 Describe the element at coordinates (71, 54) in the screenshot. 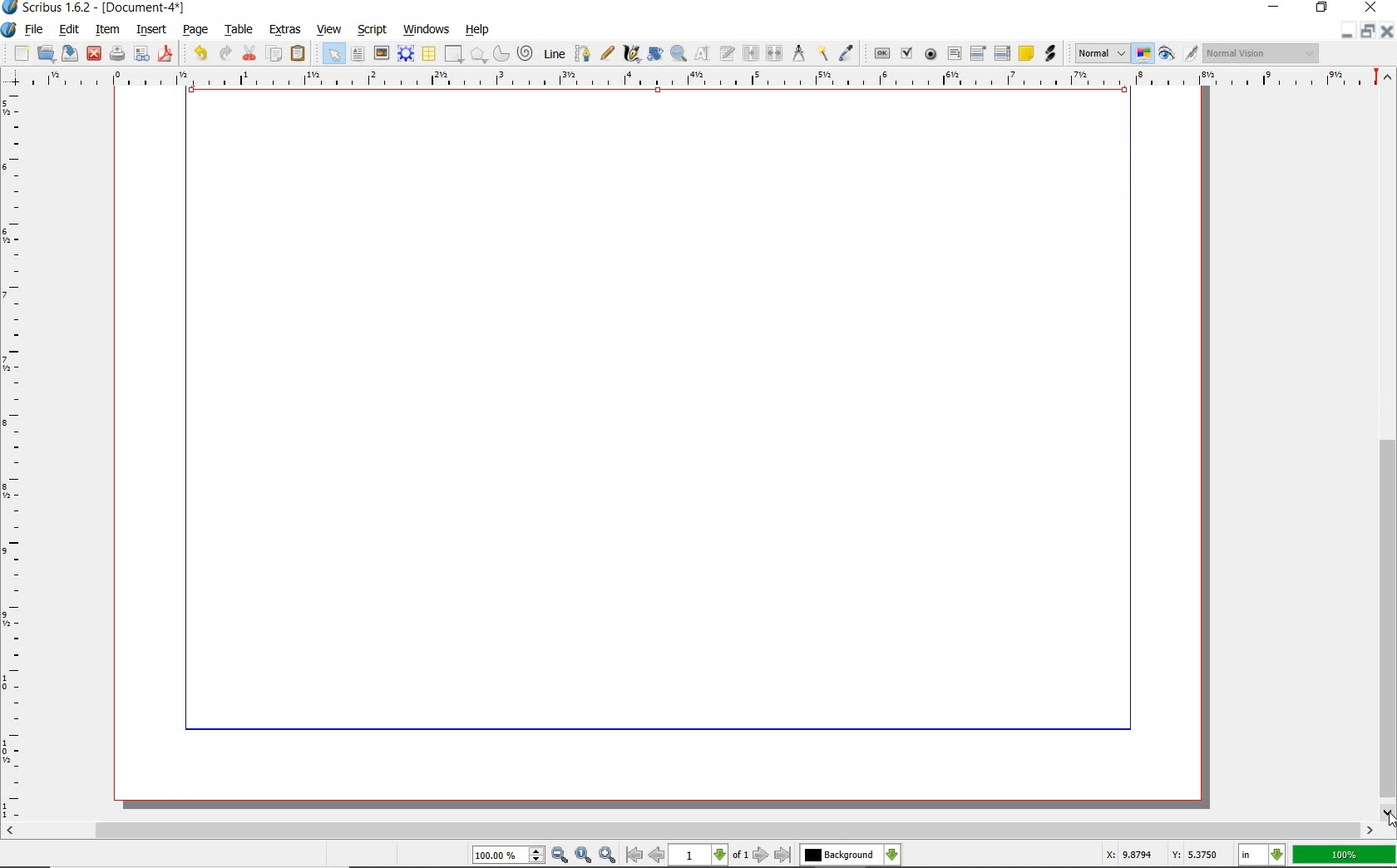

I see `save` at that location.